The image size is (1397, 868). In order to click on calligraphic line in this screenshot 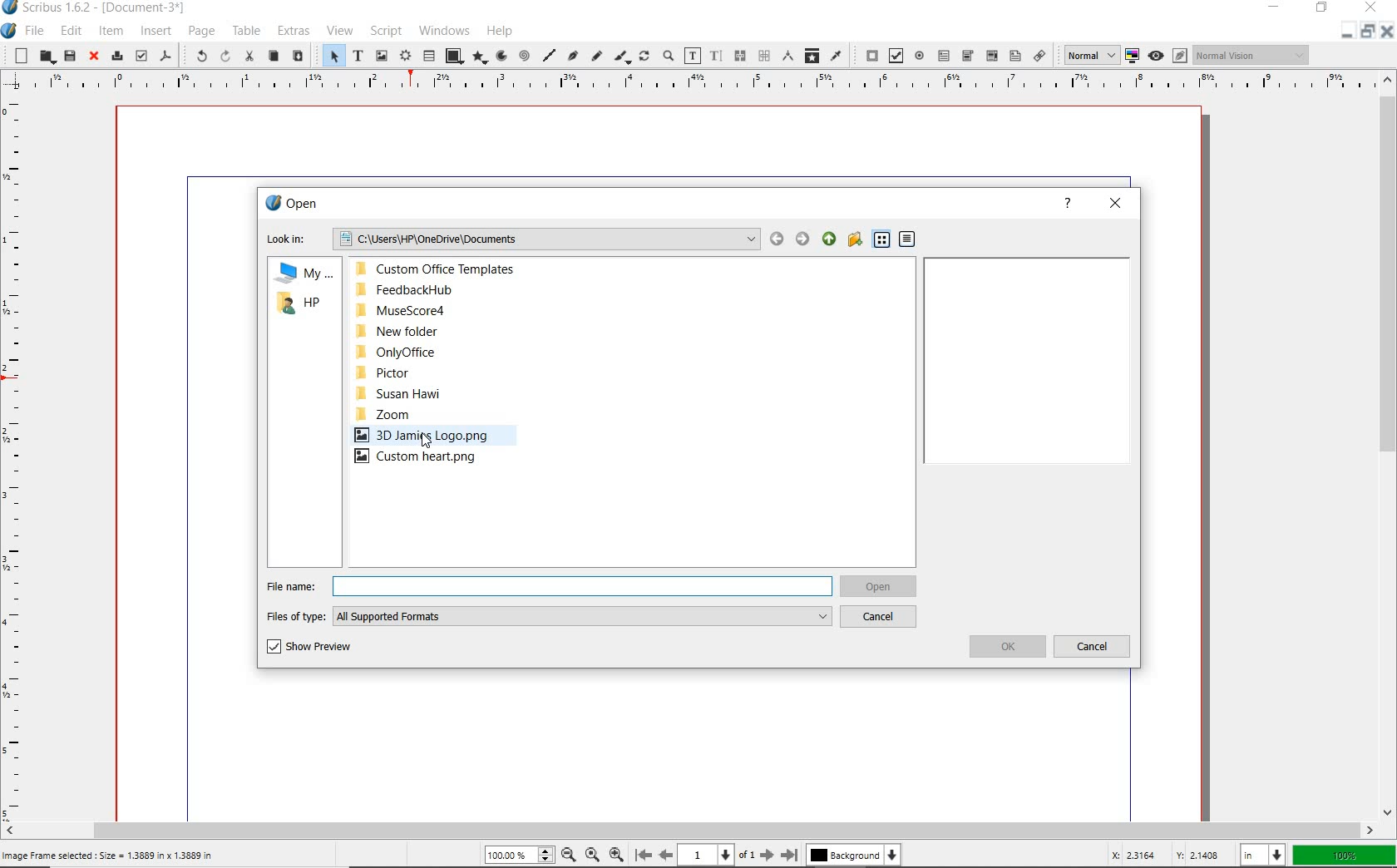, I will do `click(621, 57)`.